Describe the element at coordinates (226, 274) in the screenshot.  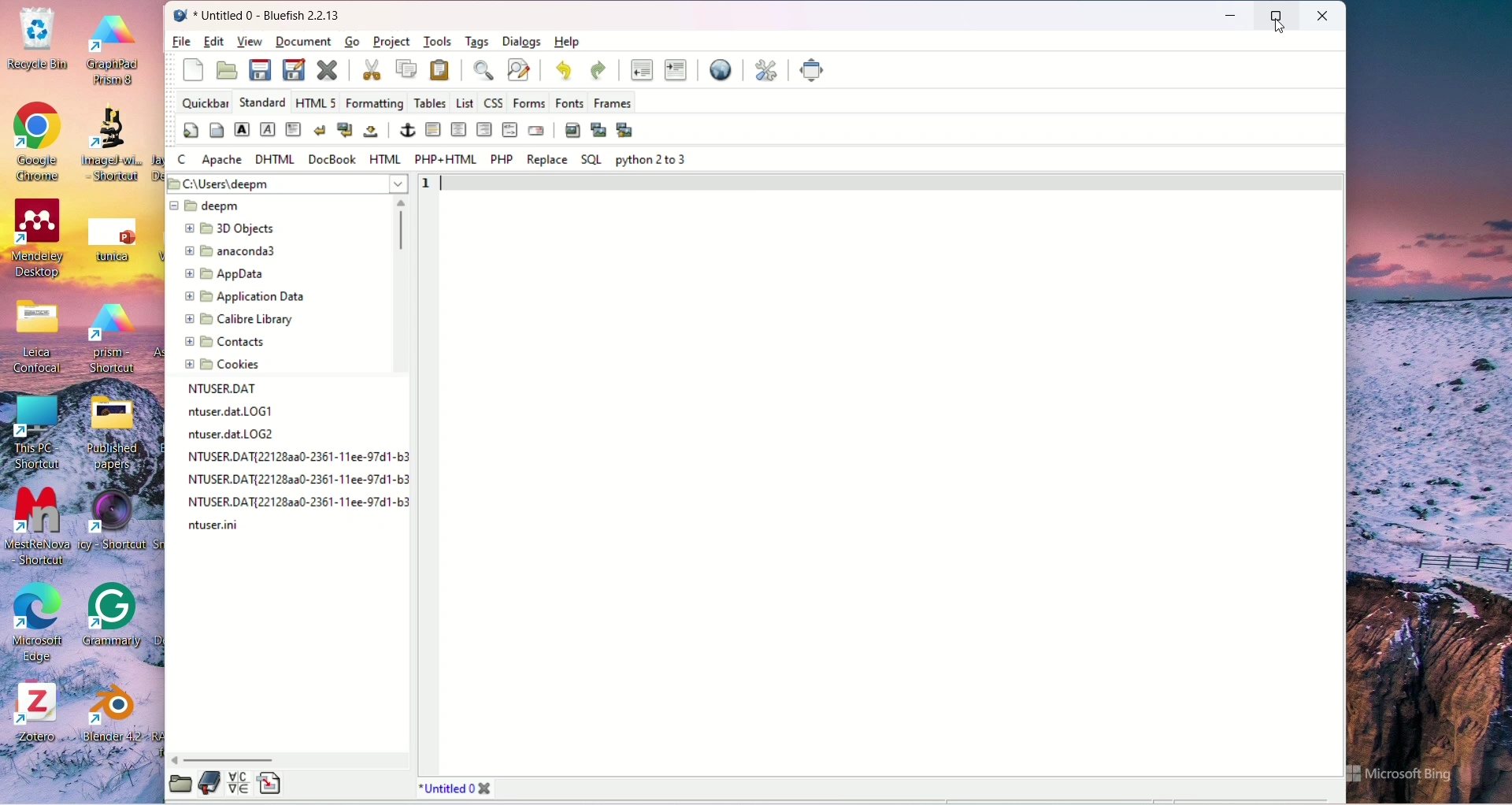
I see `app data` at that location.